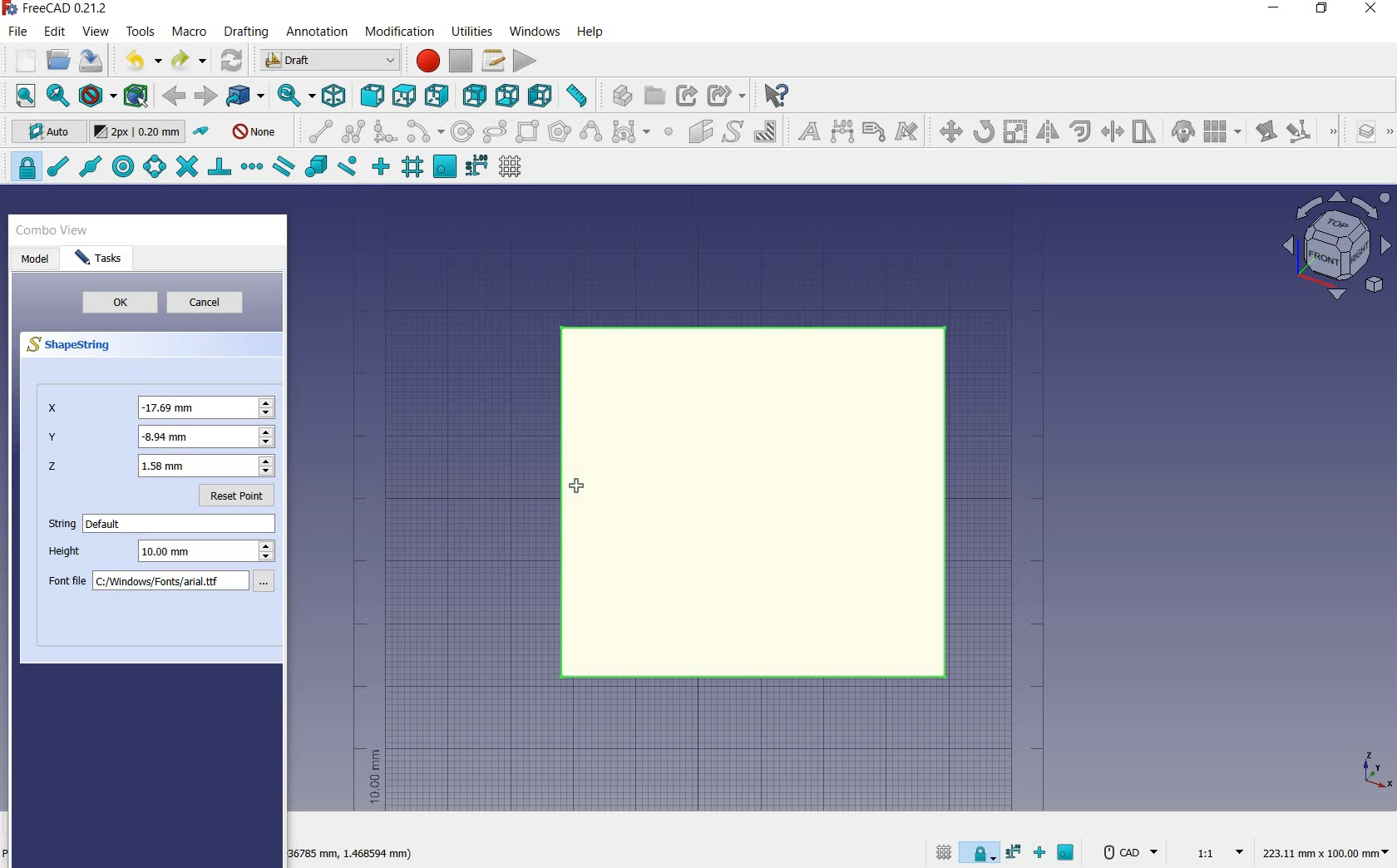 This screenshot has width=1397, height=868. What do you see at coordinates (91, 61) in the screenshot?
I see `save` at bounding box center [91, 61].